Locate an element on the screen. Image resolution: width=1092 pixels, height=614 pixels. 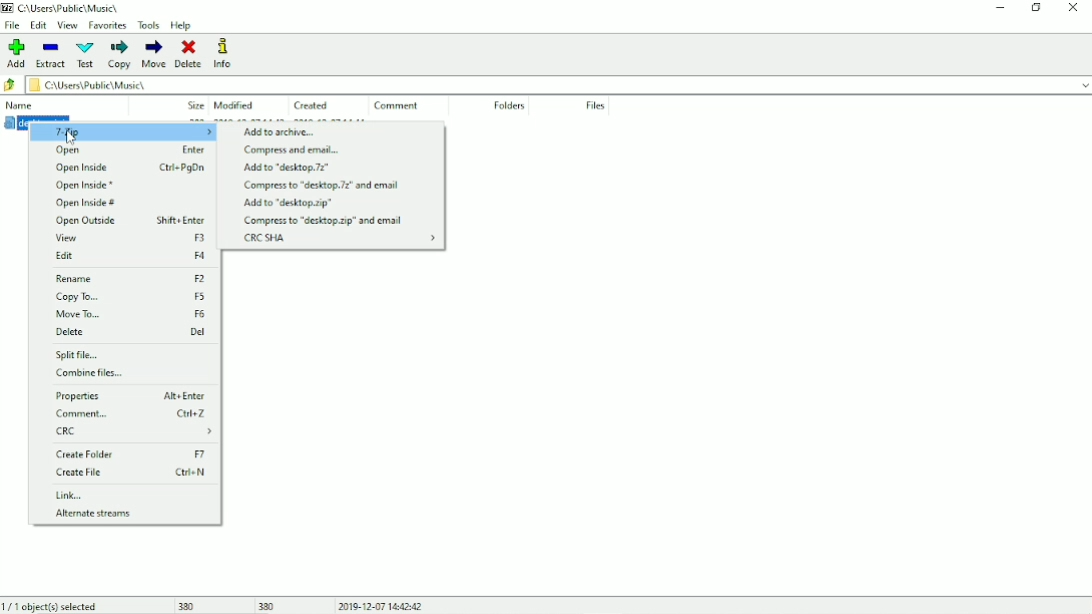
Compress to "desktop.7z" and email is located at coordinates (322, 186).